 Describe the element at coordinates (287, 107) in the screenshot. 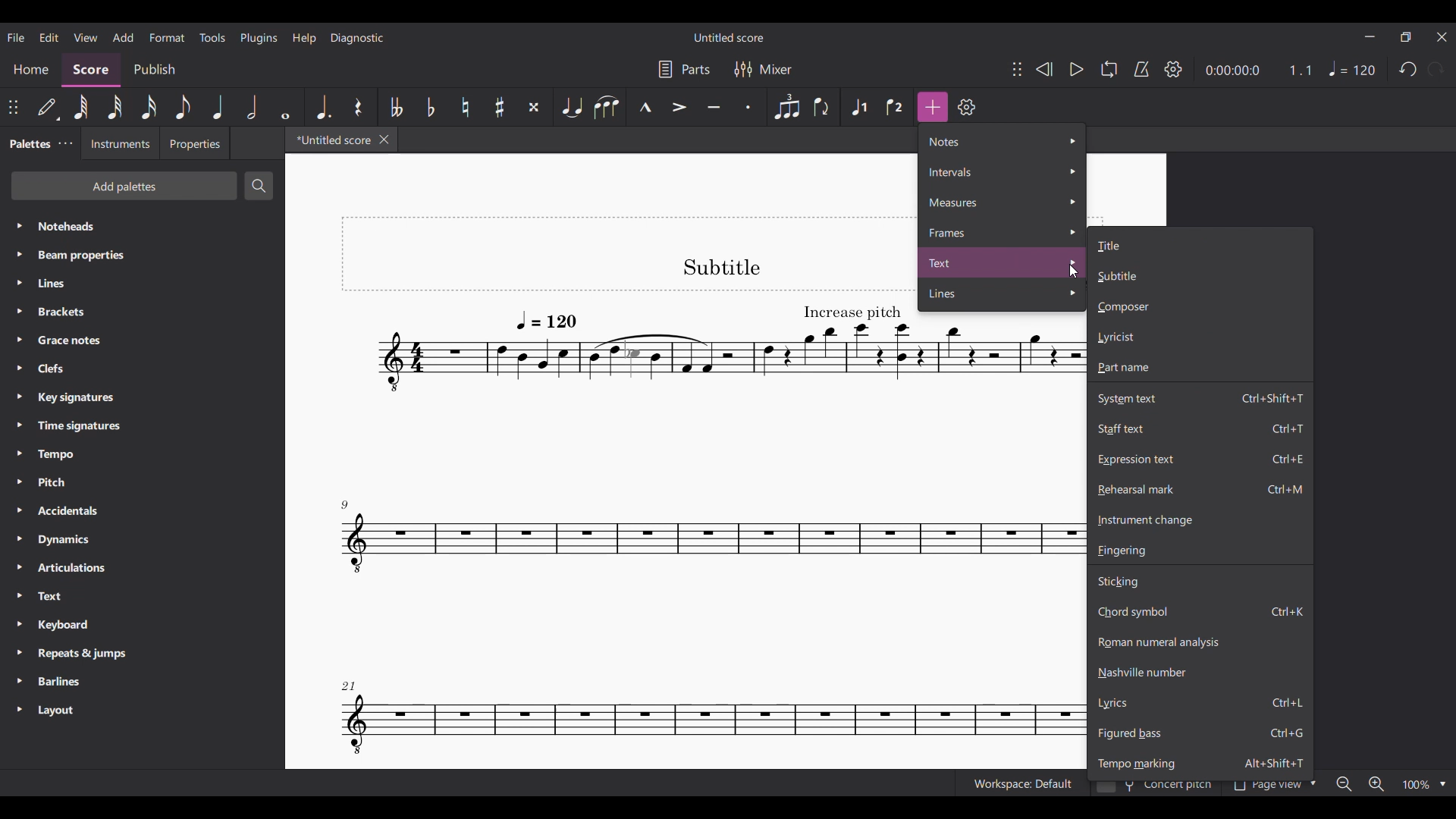

I see `Whole note` at that location.